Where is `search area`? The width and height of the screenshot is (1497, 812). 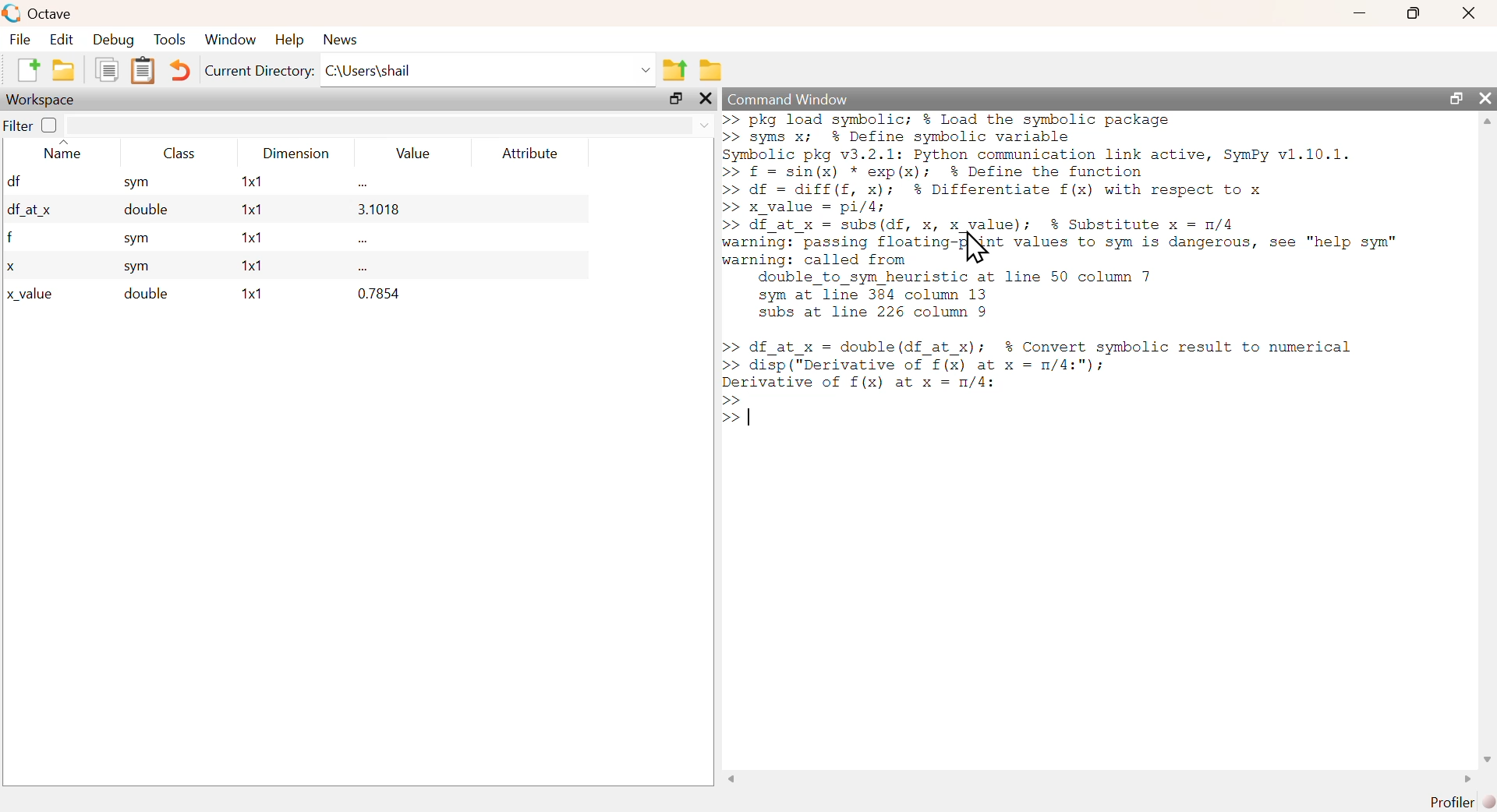 search area is located at coordinates (391, 125).